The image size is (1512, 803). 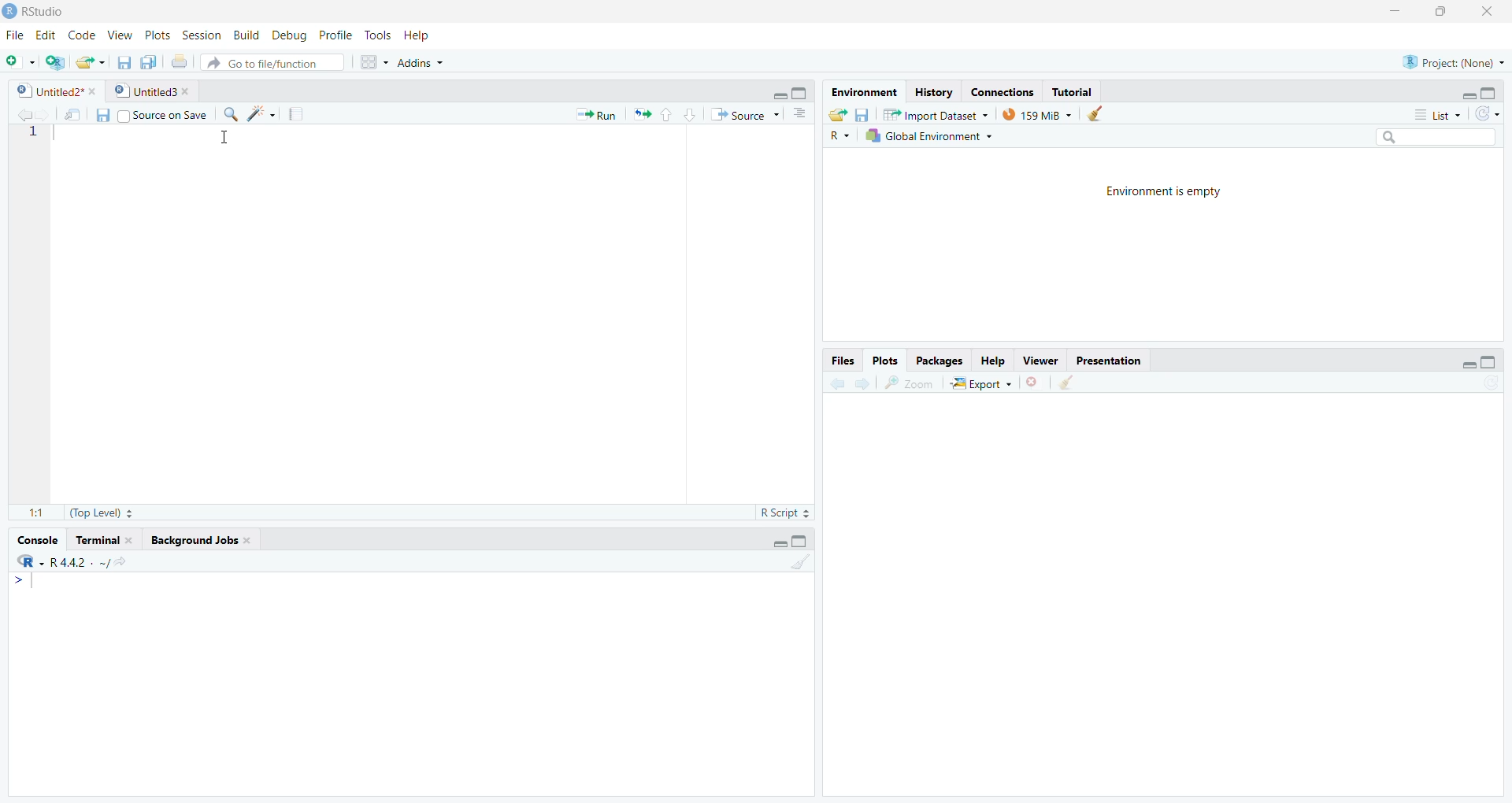 I want to click on Packages, so click(x=939, y=361).